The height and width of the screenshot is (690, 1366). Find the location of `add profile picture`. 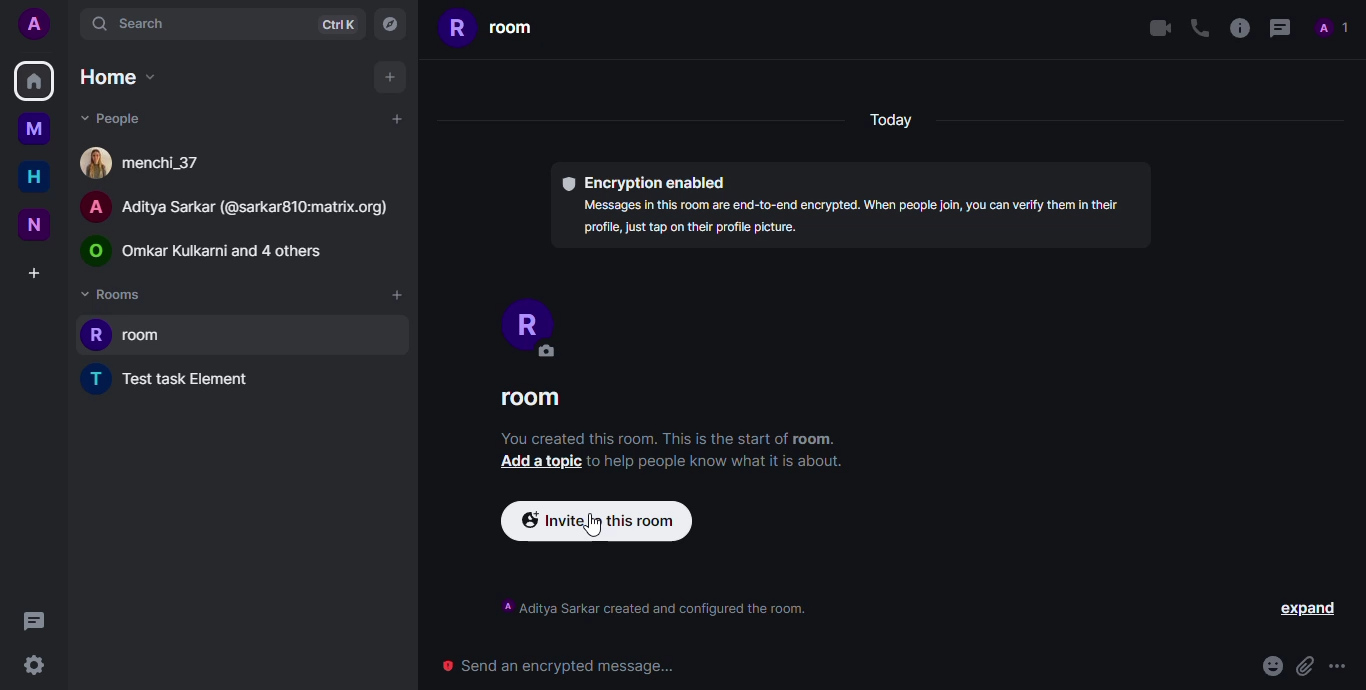

add profile picture is located at coordinates (38, 24).